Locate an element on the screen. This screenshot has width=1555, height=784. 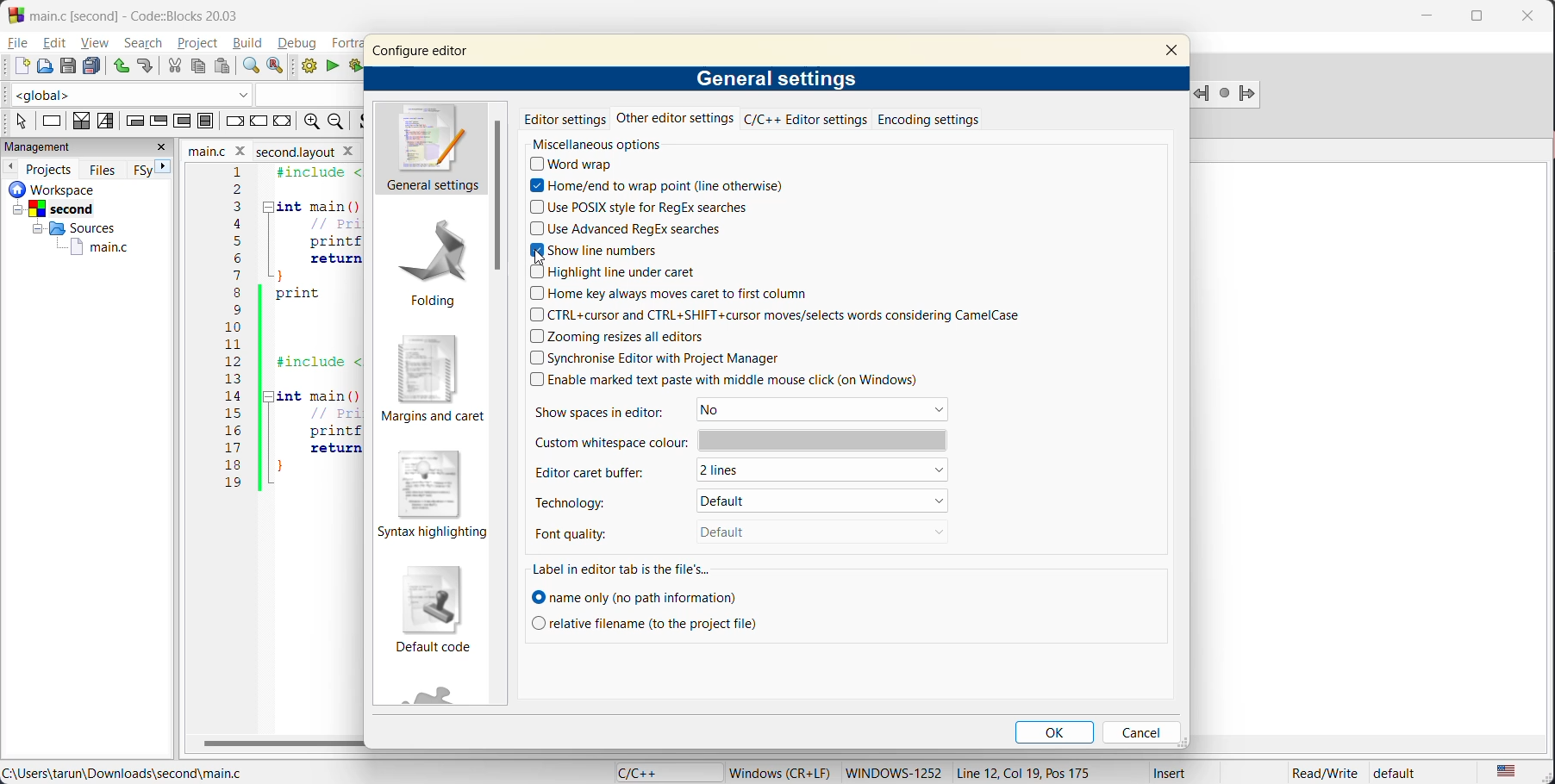
toggle source is located at coordinates (365, 121).